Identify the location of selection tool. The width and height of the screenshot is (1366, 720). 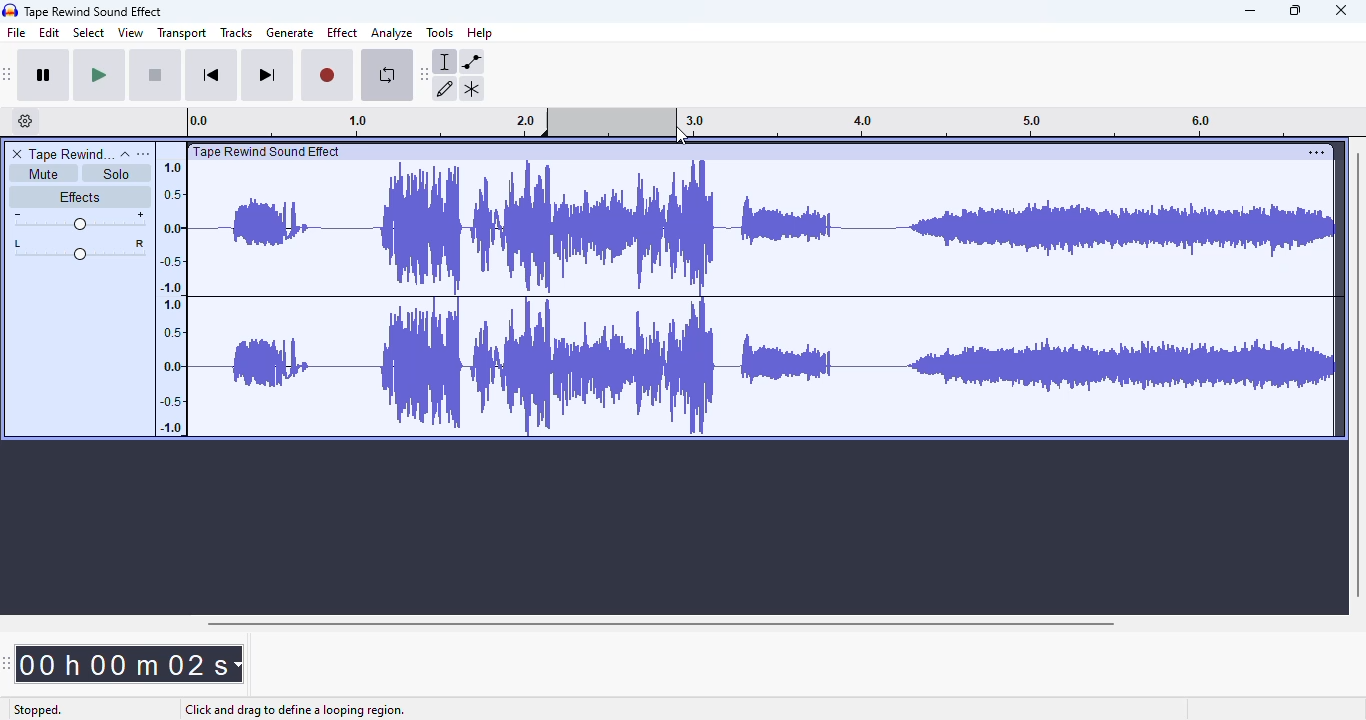
(448, 61).